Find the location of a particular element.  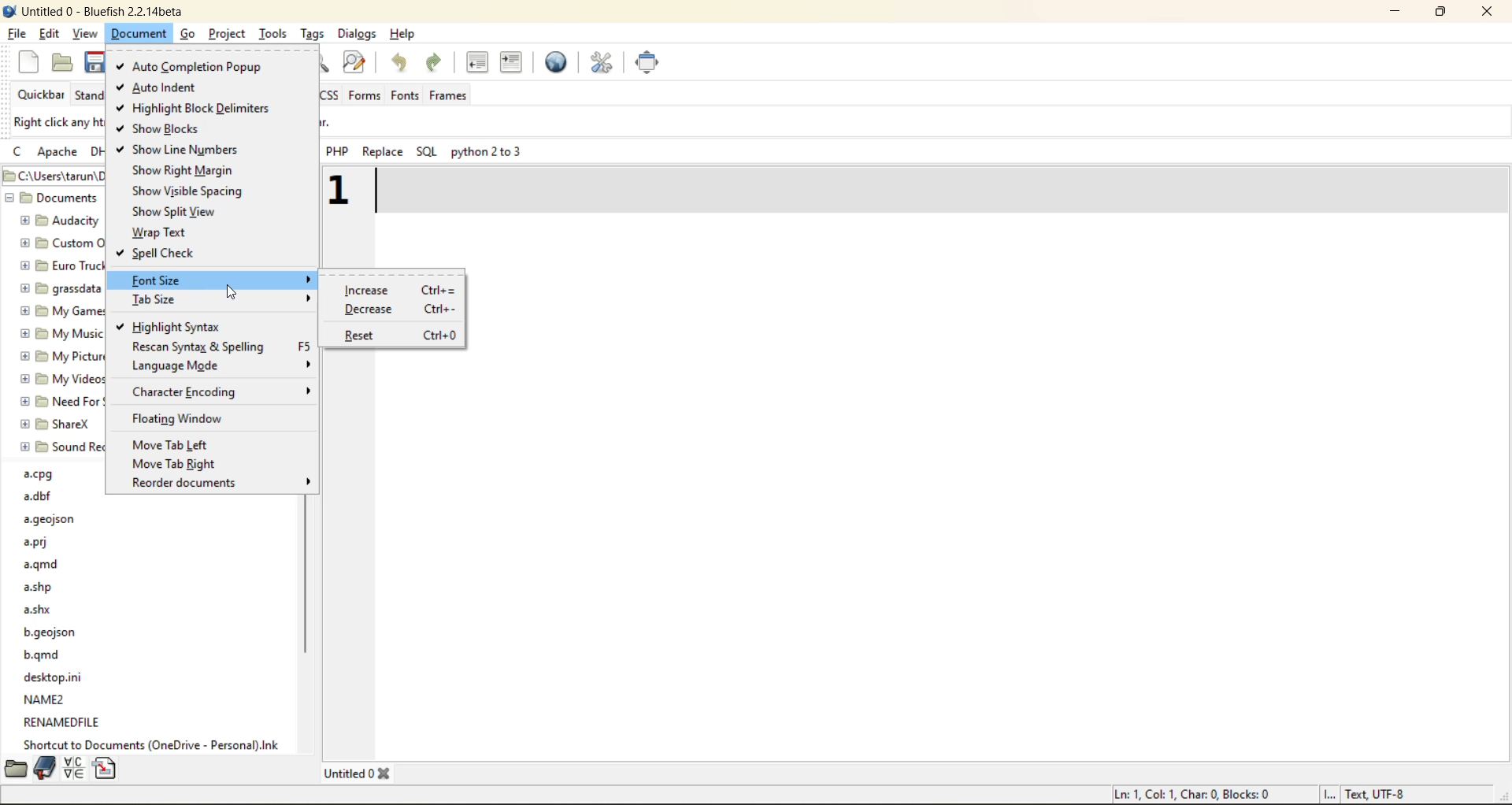

save is located at coordinates (99, 64).